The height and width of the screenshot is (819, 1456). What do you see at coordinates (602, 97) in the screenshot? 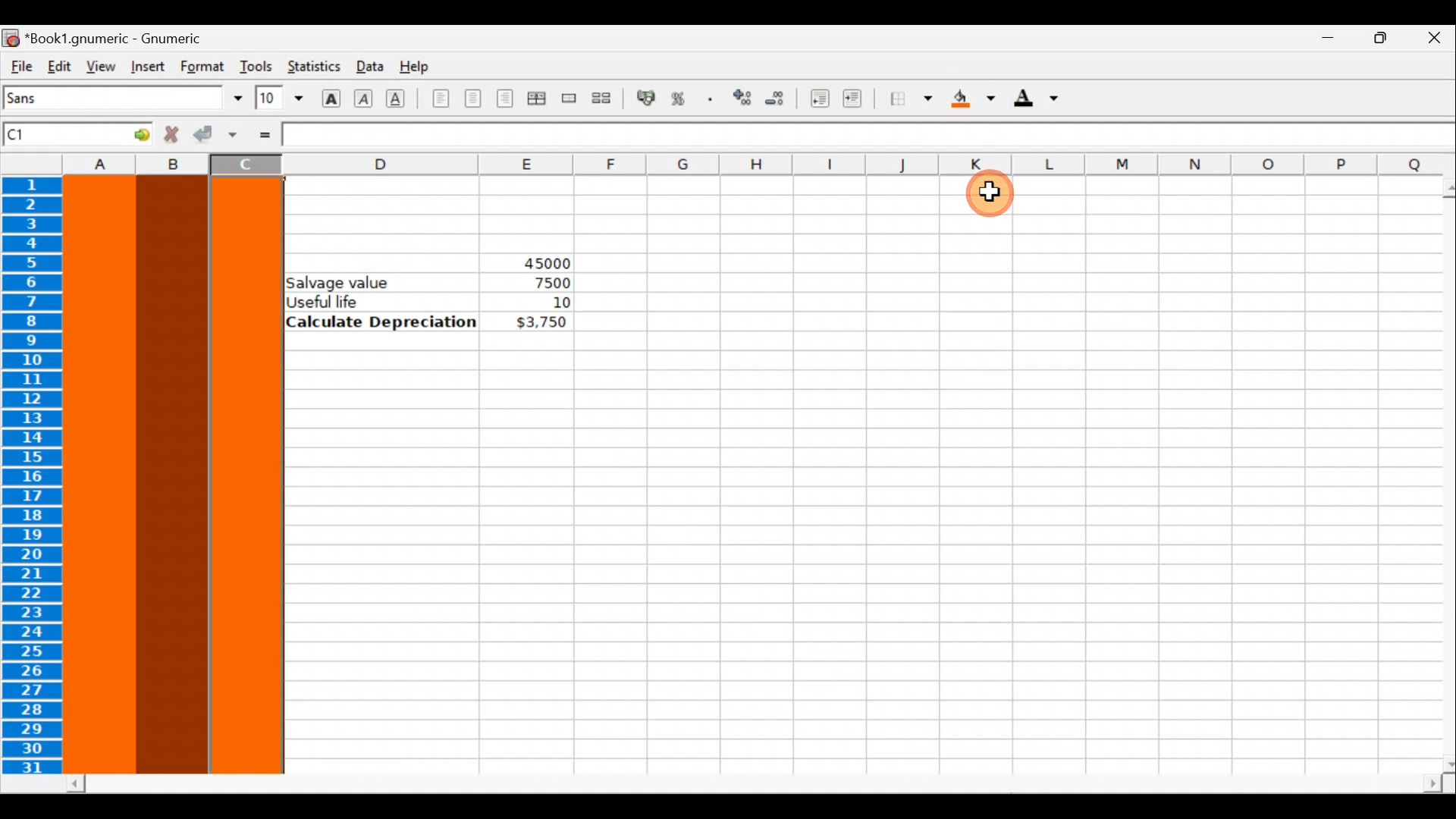
I see `Split merged range of cells` at bounding box center [602, 97].